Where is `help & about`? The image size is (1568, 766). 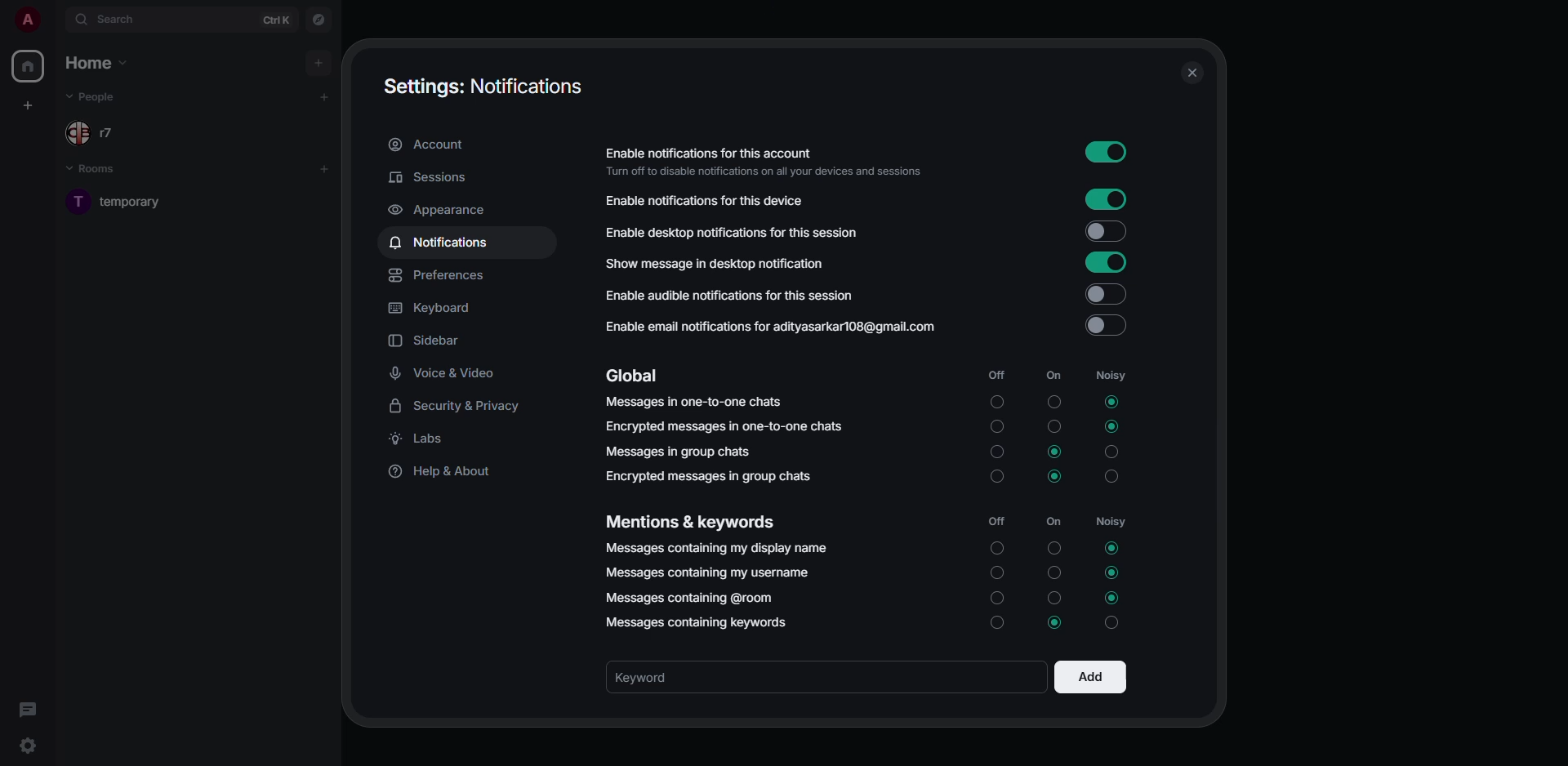 help & about is located at coordinates (443, 473).